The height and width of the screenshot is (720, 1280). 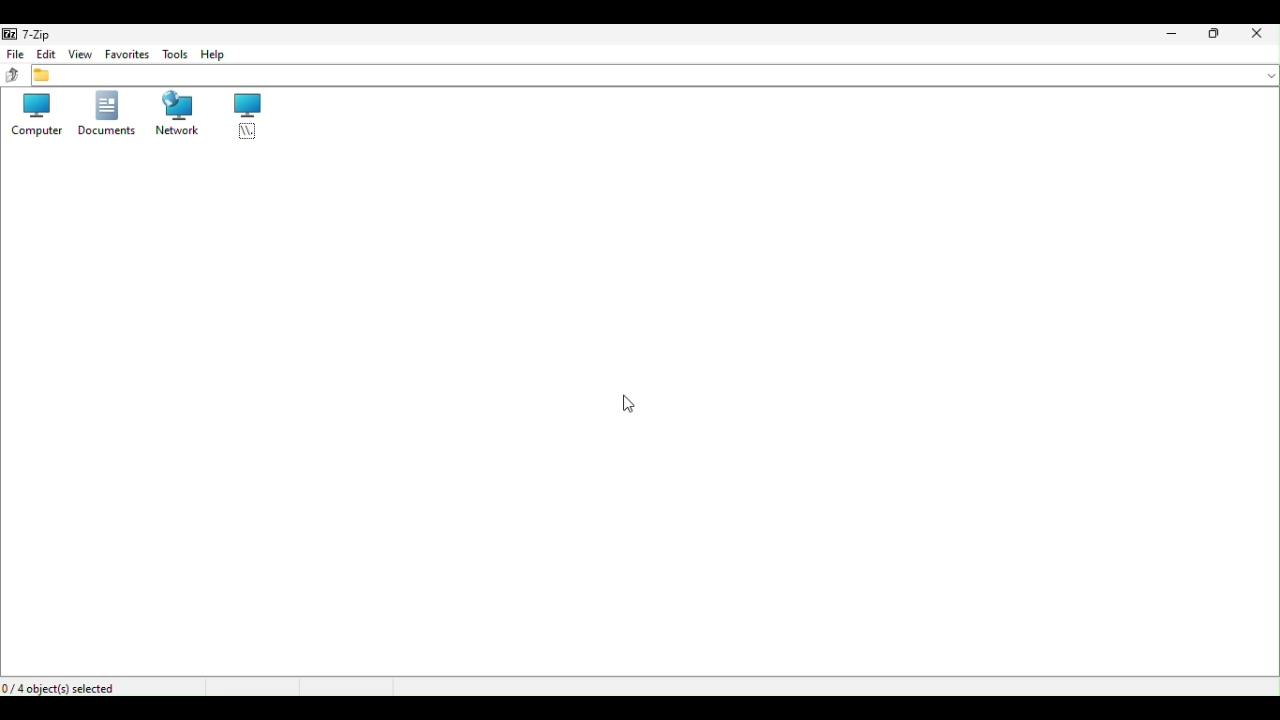 What do you see at coordinates (27, 32) in the screenshot?
I see `7 zip` at bounding box center [27, 32].